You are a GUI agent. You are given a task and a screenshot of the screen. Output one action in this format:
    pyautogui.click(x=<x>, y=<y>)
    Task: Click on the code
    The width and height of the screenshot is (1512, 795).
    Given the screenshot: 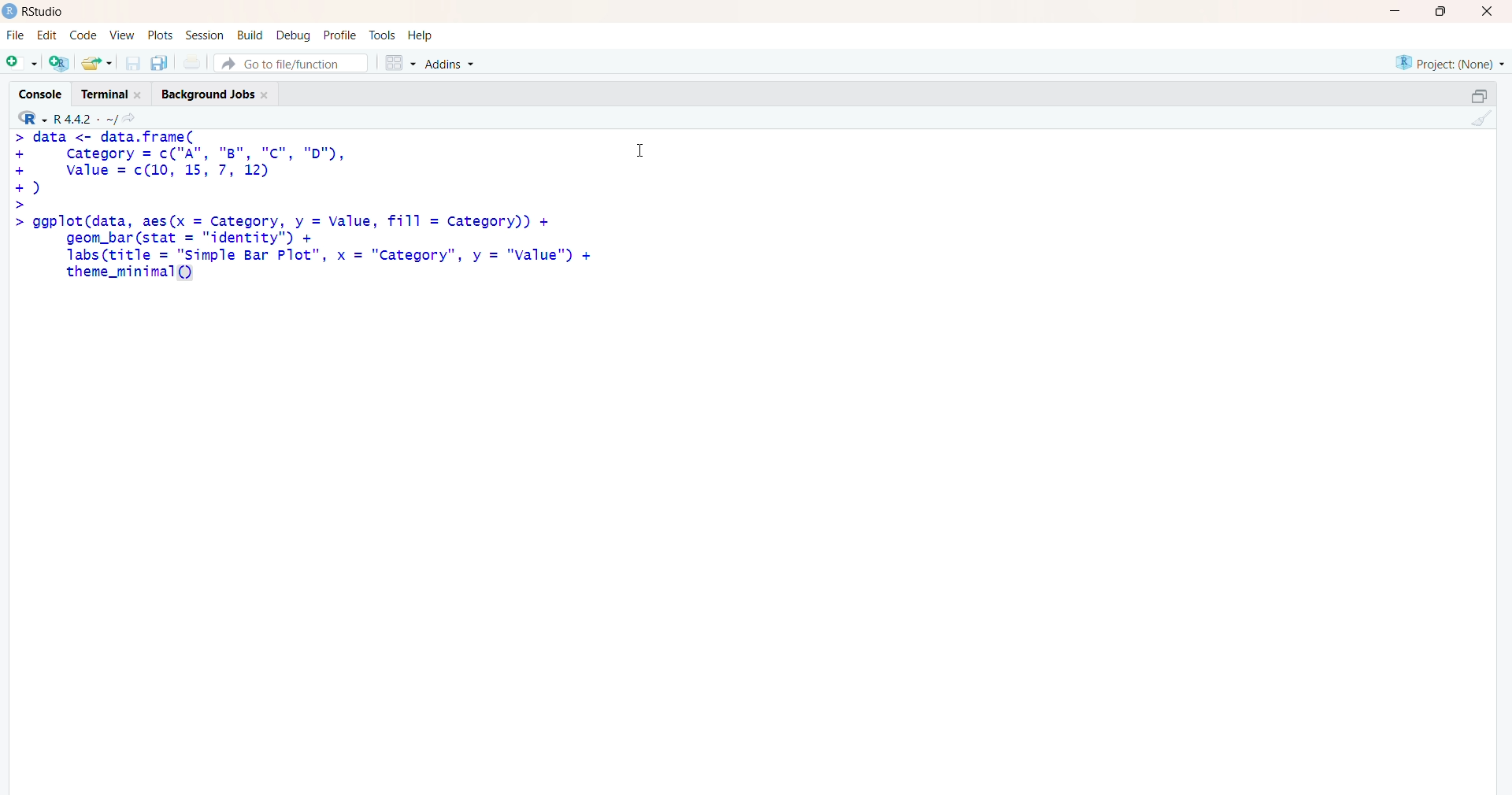 What is the action you would take?
    pyautogui.click(x=83, y=35)
    